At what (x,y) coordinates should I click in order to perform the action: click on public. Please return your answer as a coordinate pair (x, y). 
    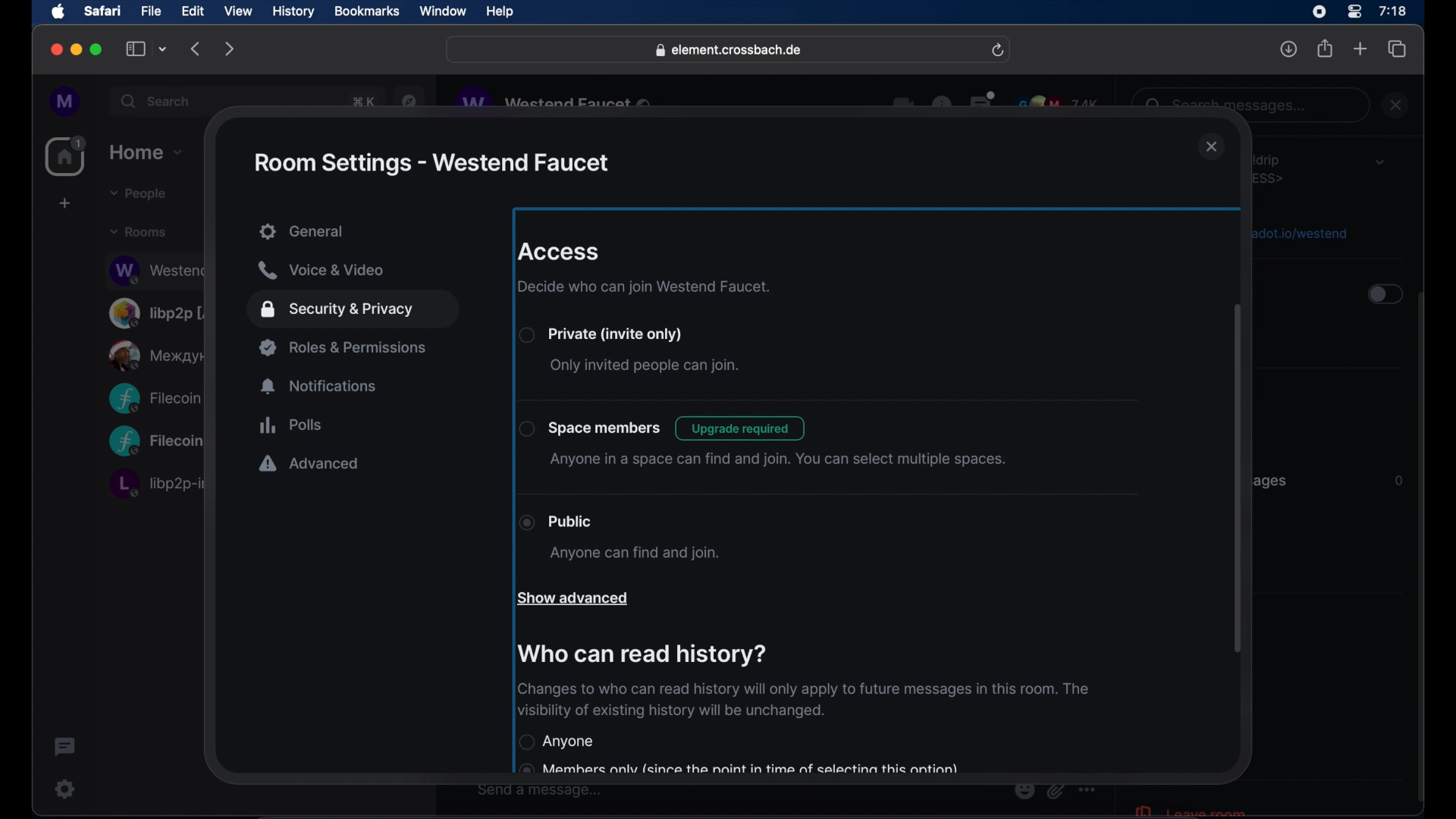
    Looking at the image, I should click on (619, 537).